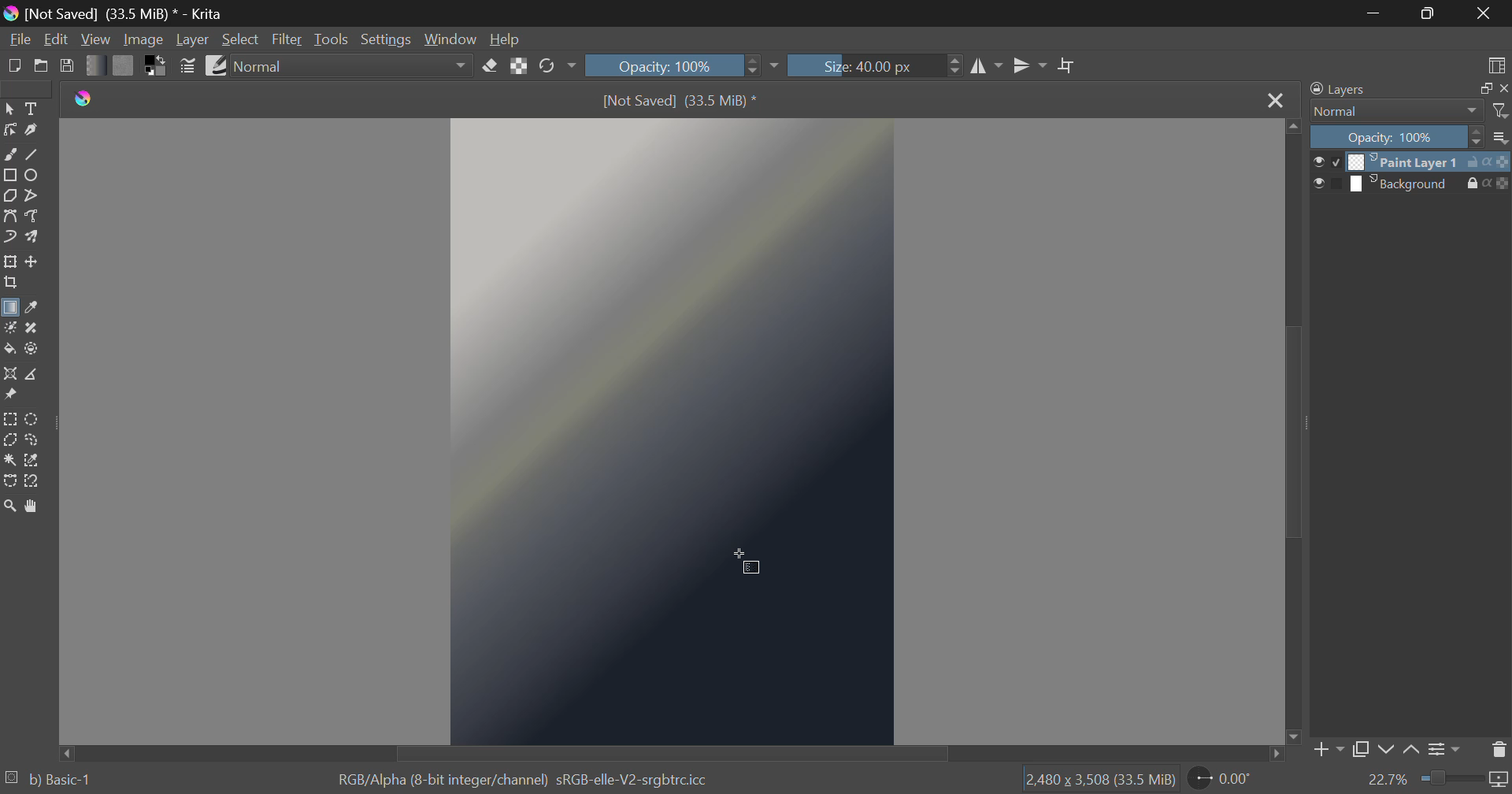 The width and height of the screenshot is (1512, 794). I want to click on Rectangle, so click(9, 175).